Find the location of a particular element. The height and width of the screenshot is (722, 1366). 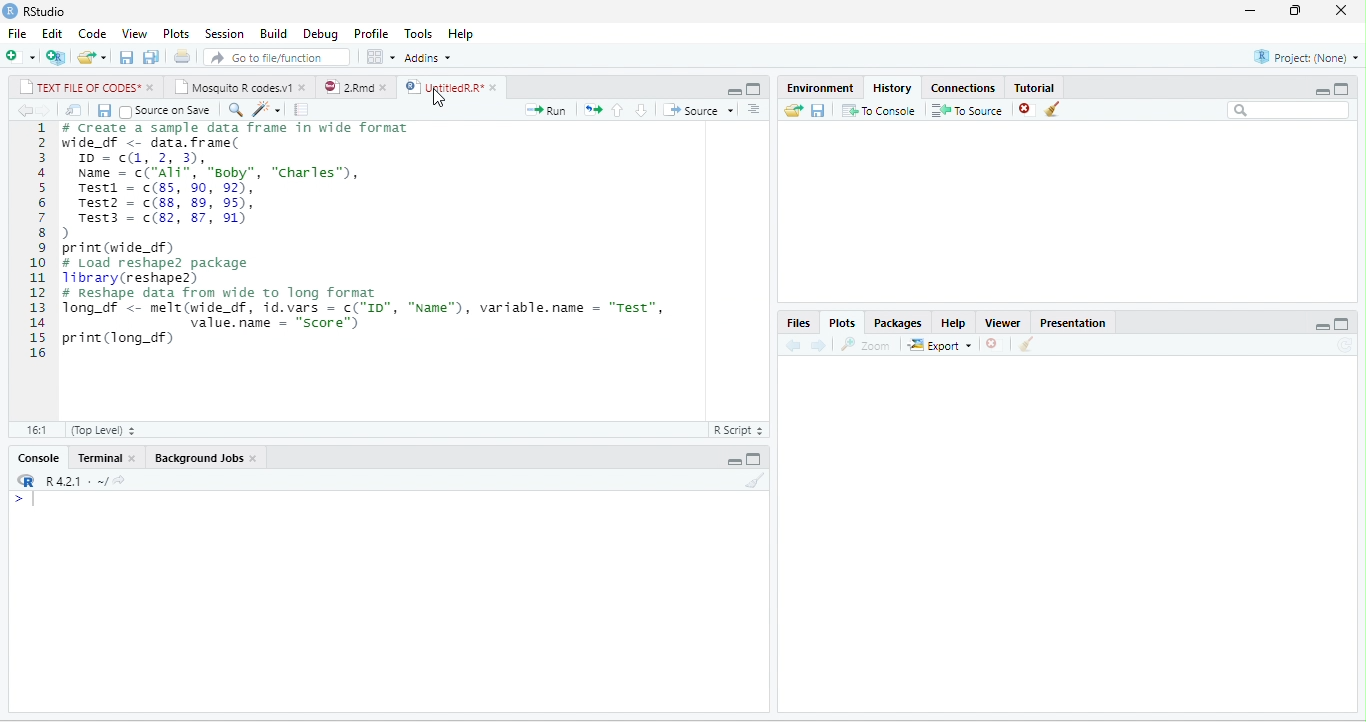

options is located at coordinates (381, 57).